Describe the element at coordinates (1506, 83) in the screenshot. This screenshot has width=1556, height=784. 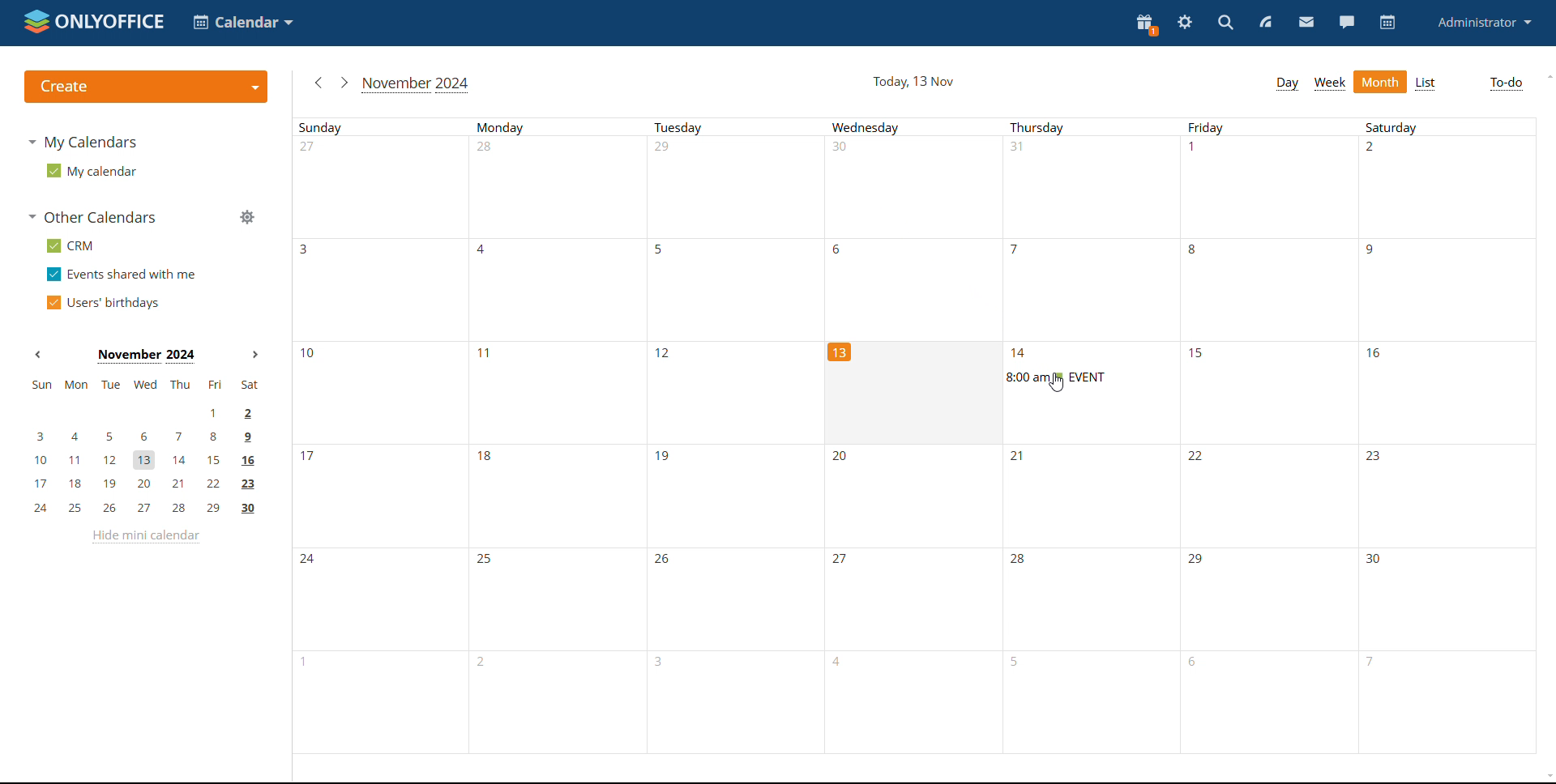
I see `To-do` at that location.